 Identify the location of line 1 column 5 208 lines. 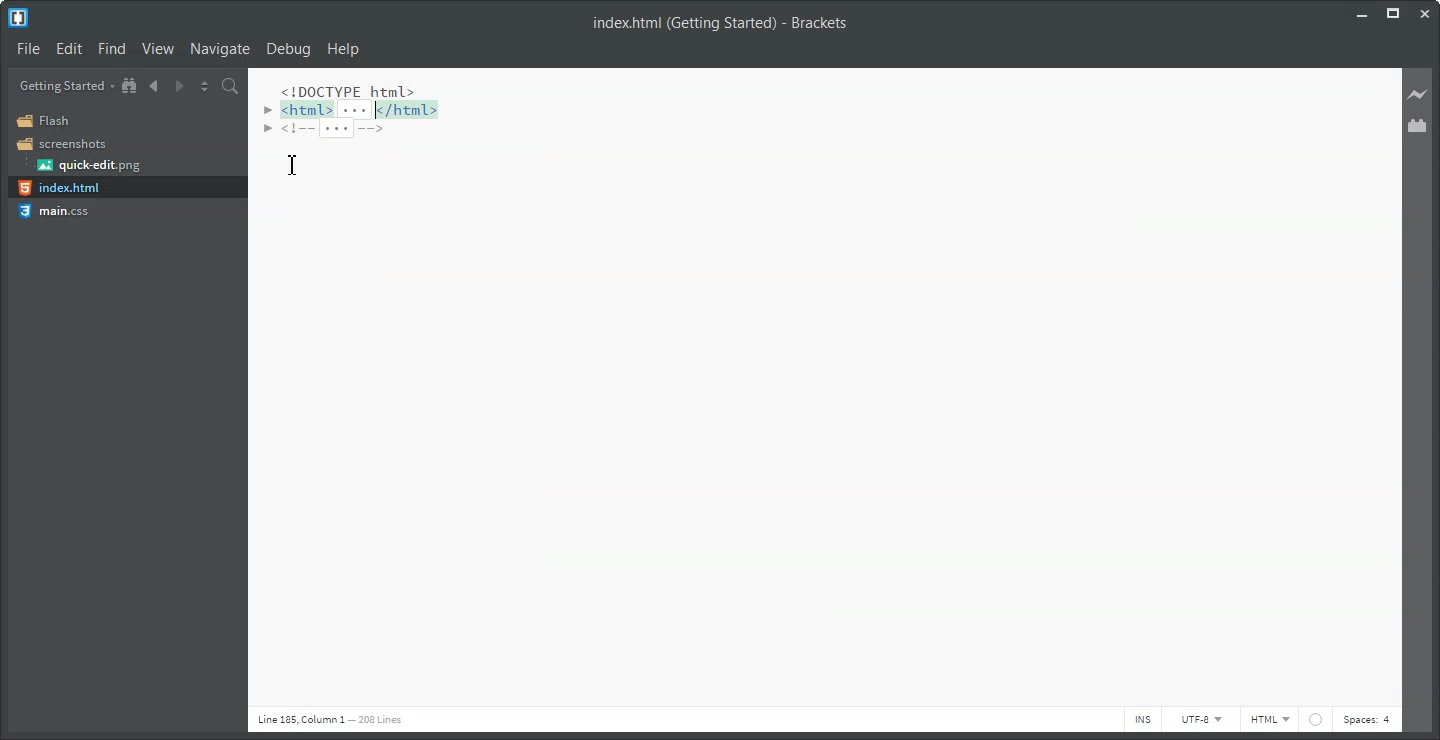
(322, 719).